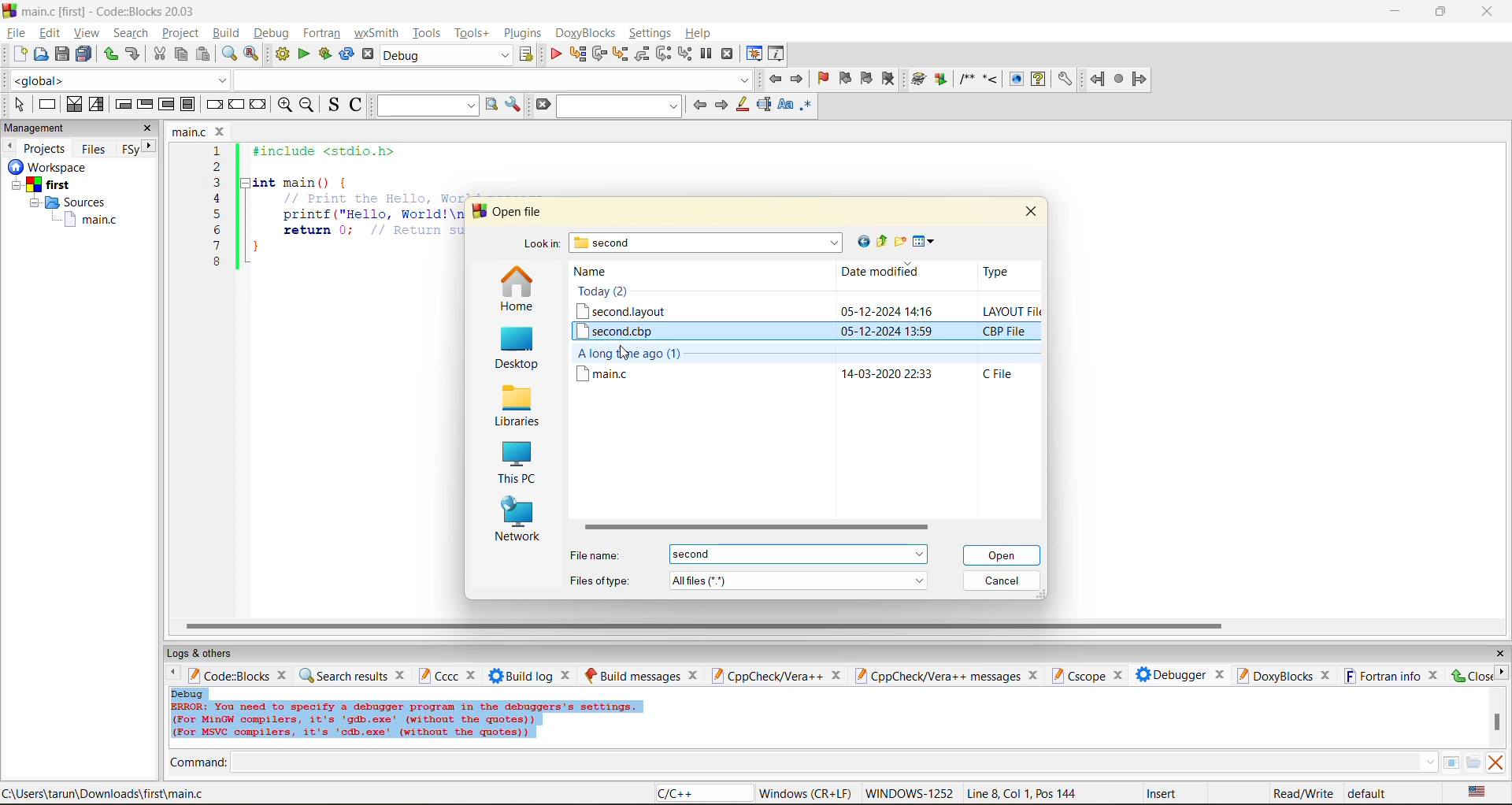 The image size is (1512, 805). What do you see at coordinates (1383, 676) in the screenshot?
I see `fortran info` at bounding box center [1383, 676].